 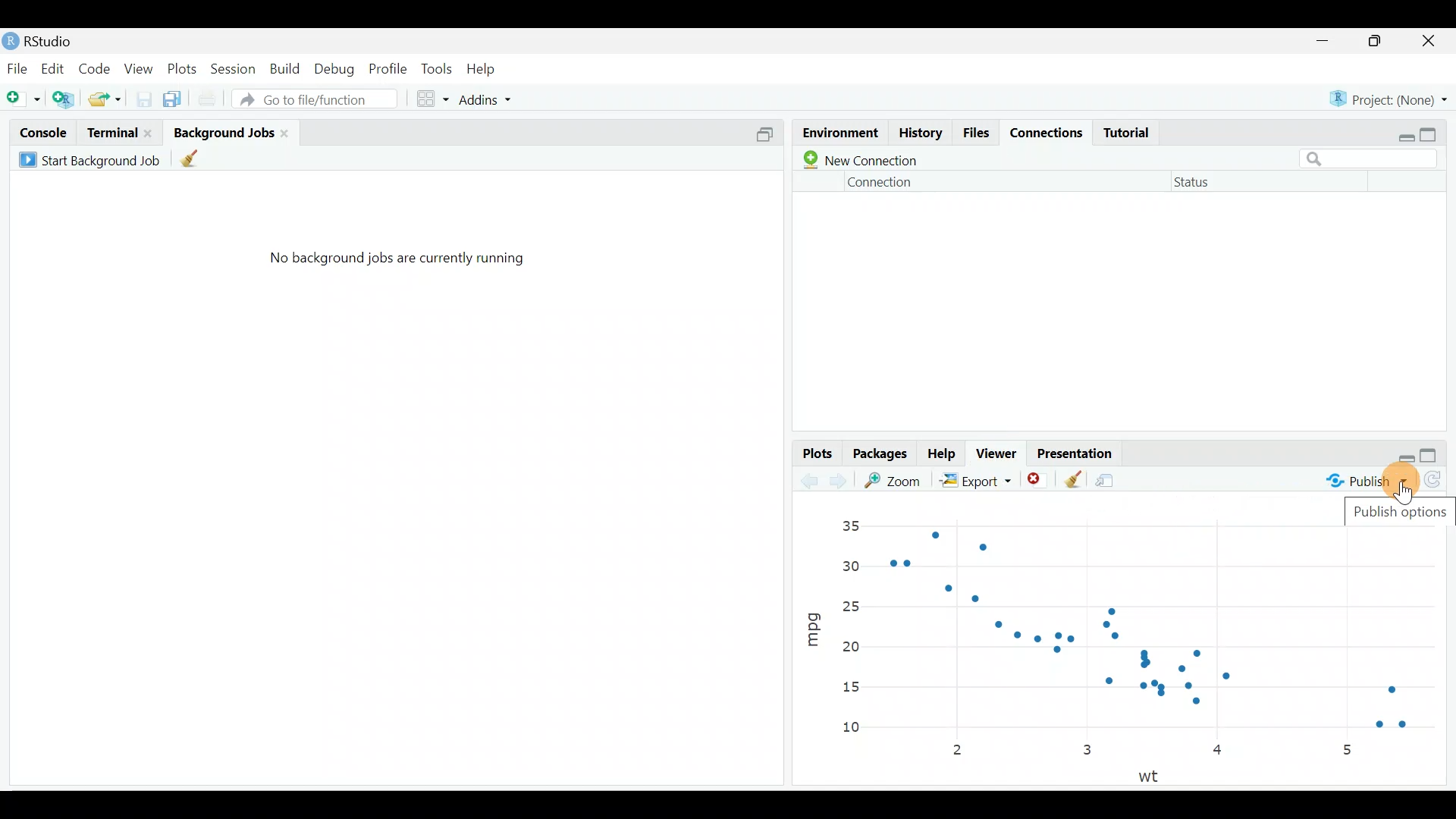 I want to click on No background jobs are currently running, so click(x=397, y=265).